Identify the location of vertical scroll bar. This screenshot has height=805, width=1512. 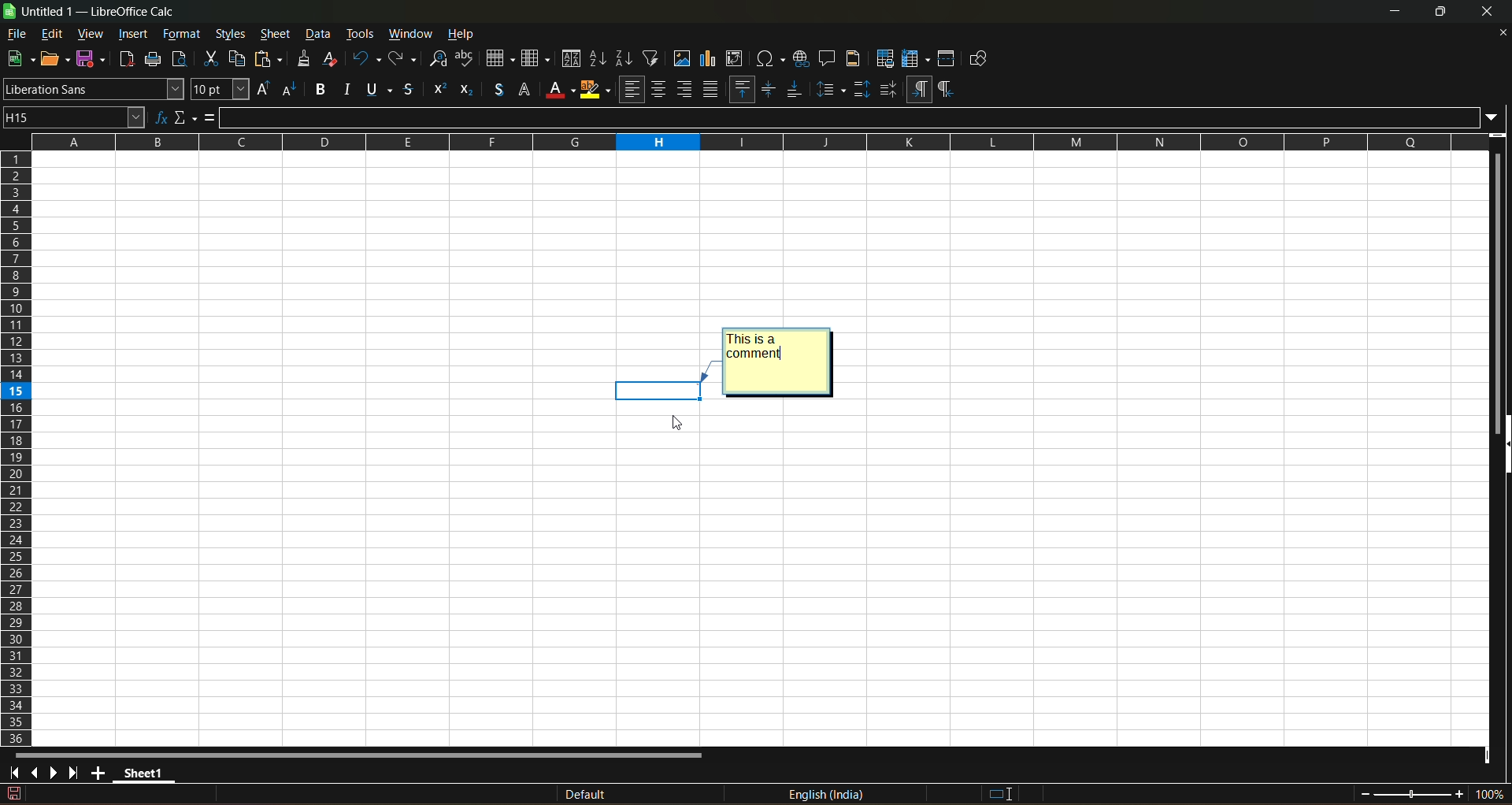
(1495, 282).